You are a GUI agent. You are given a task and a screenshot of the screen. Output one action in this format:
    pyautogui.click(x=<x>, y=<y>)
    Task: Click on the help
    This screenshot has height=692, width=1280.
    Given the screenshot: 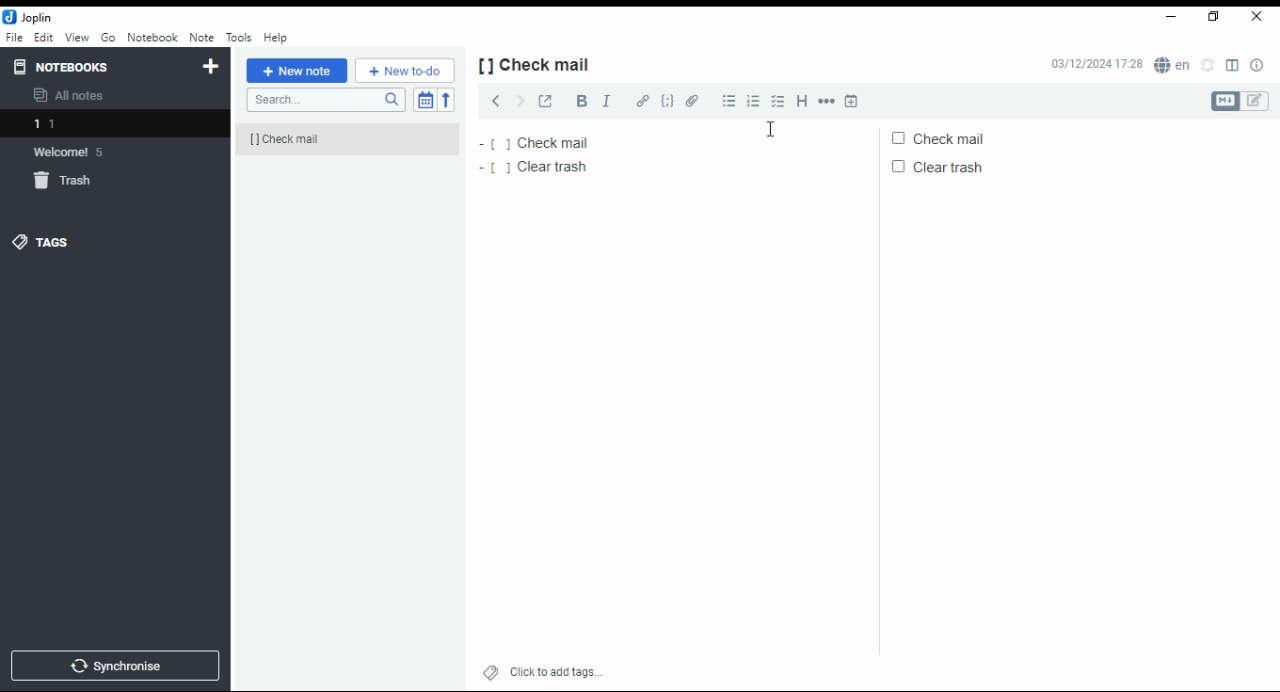 What is the action you would take?
    pyautogui.click(x=276, y=38)
    